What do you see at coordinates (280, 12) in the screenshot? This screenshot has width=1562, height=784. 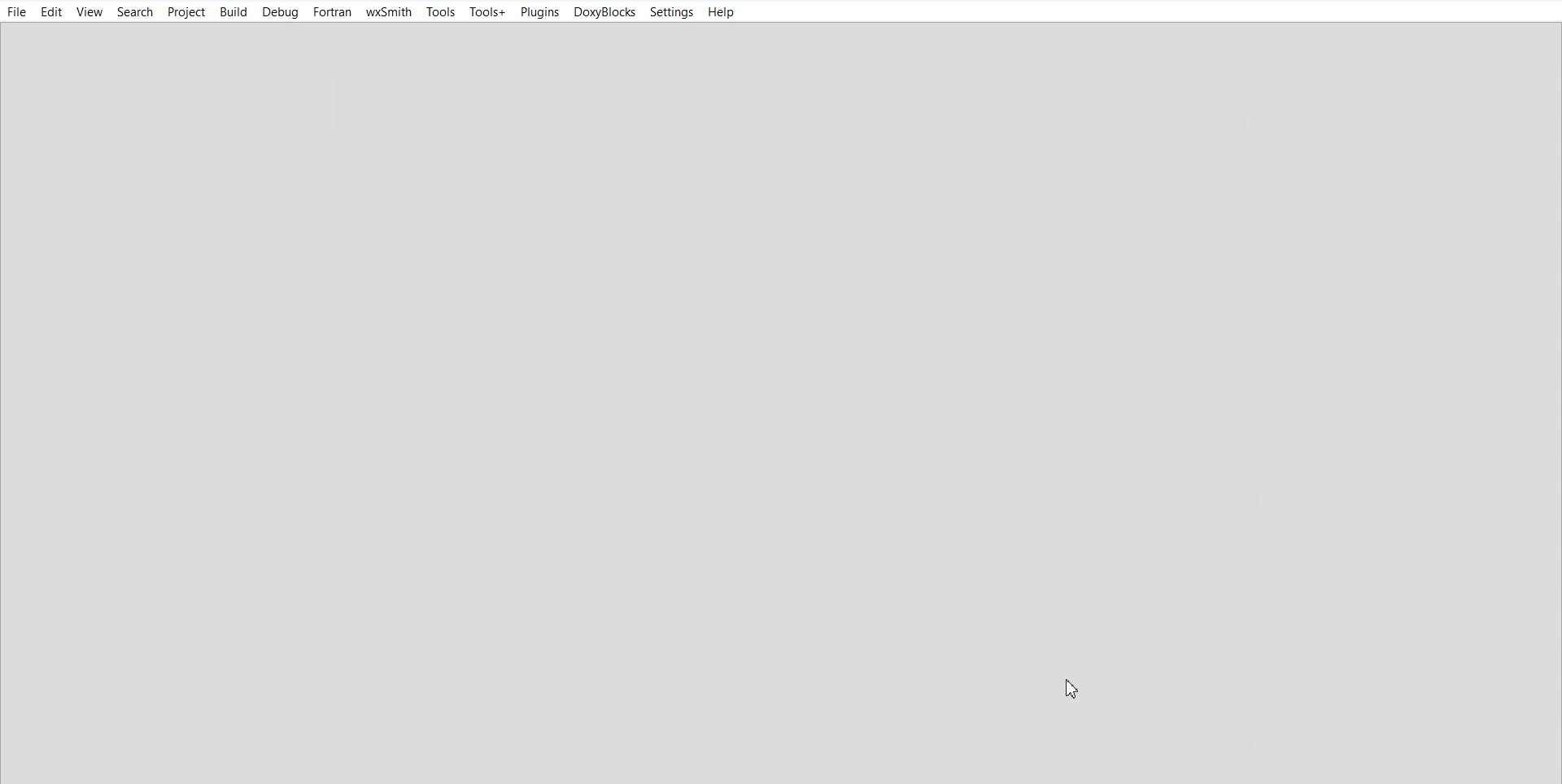 I see `Debug` at bounding box center [280, 12].